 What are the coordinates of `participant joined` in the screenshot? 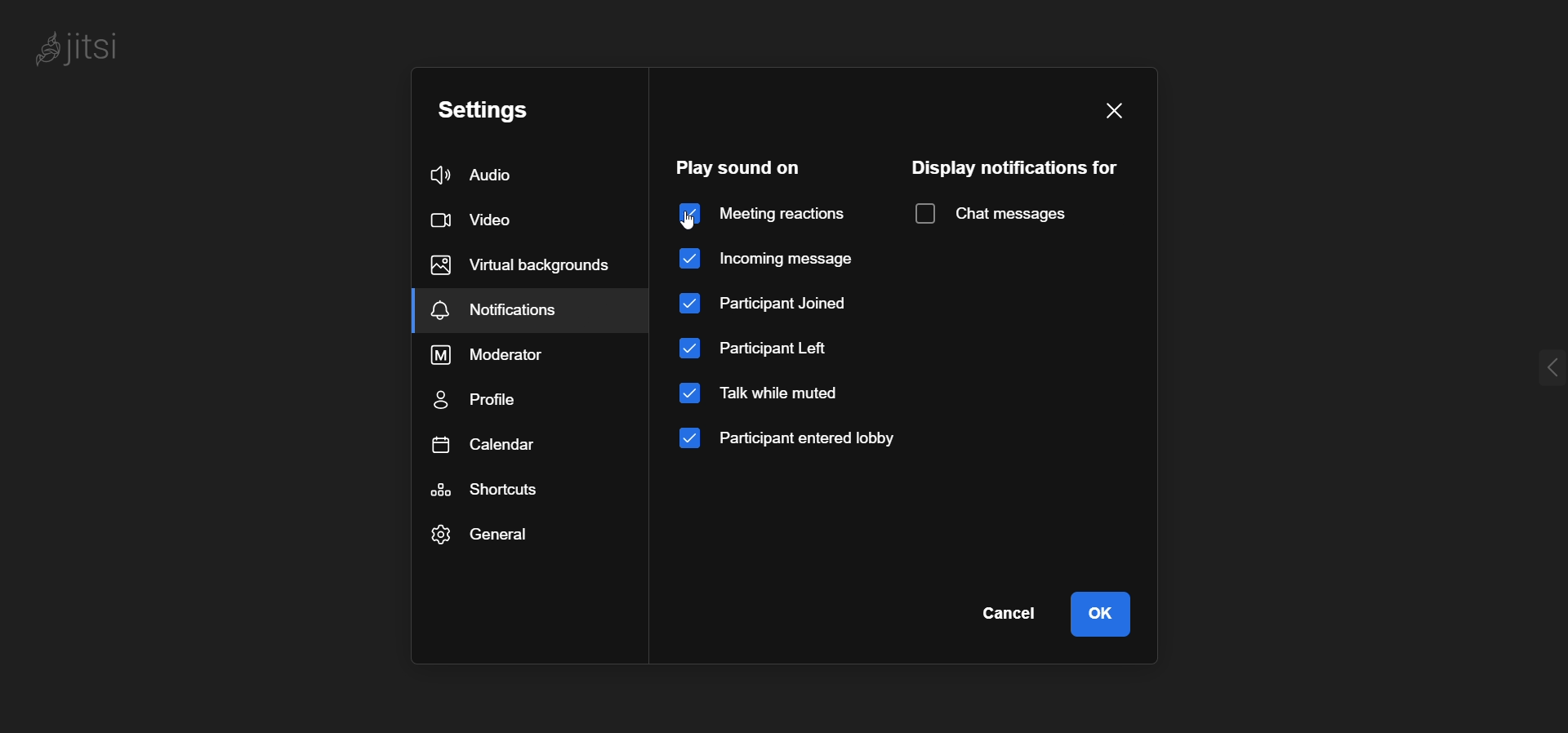 It's located at (766, 306).